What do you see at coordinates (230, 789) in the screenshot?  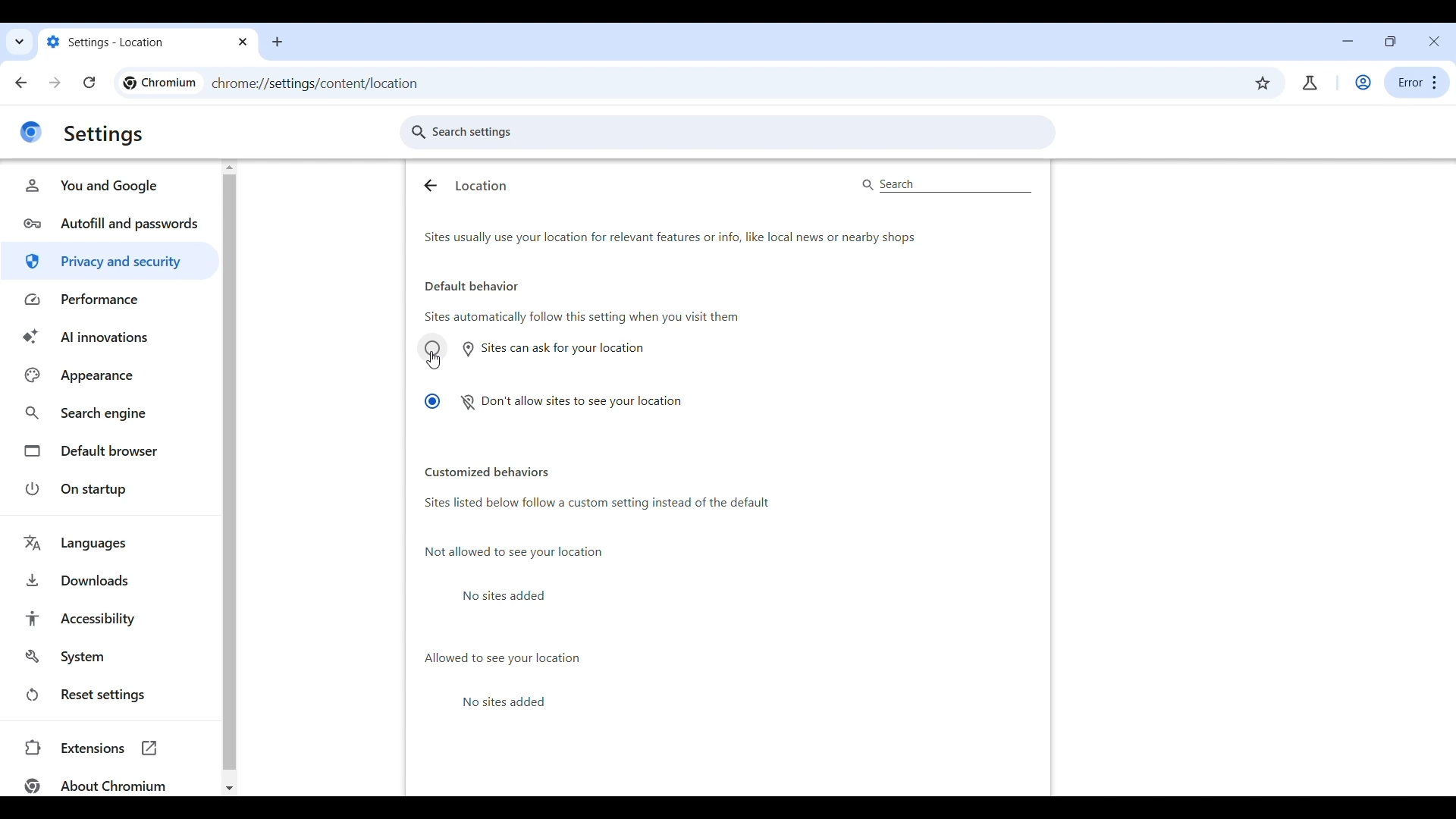 I see `Quick slide to bottom` at bounding box center [230, 789].